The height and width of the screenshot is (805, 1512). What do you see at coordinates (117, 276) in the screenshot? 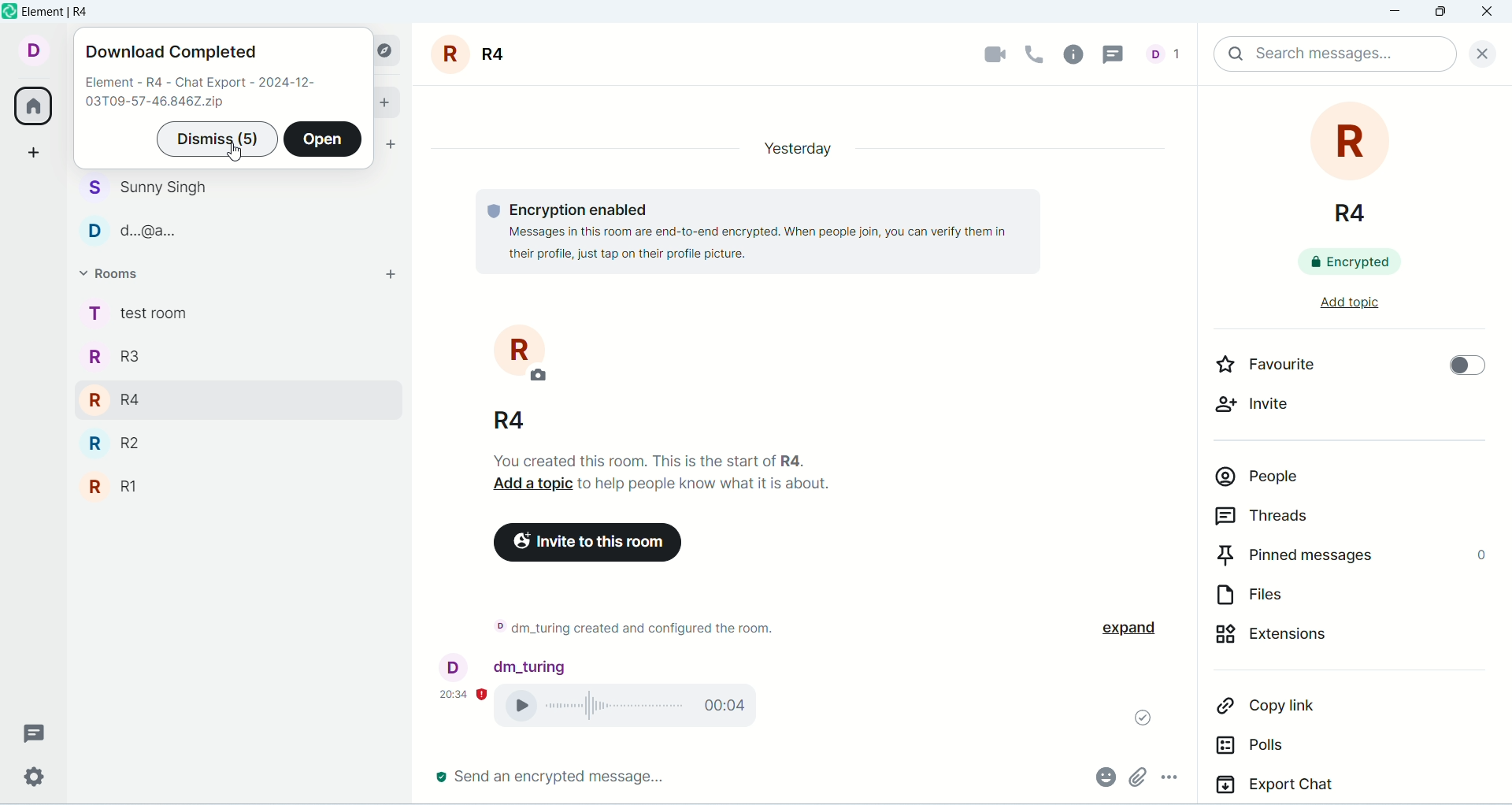
I see `rooms` at bounding box center [117, 276].